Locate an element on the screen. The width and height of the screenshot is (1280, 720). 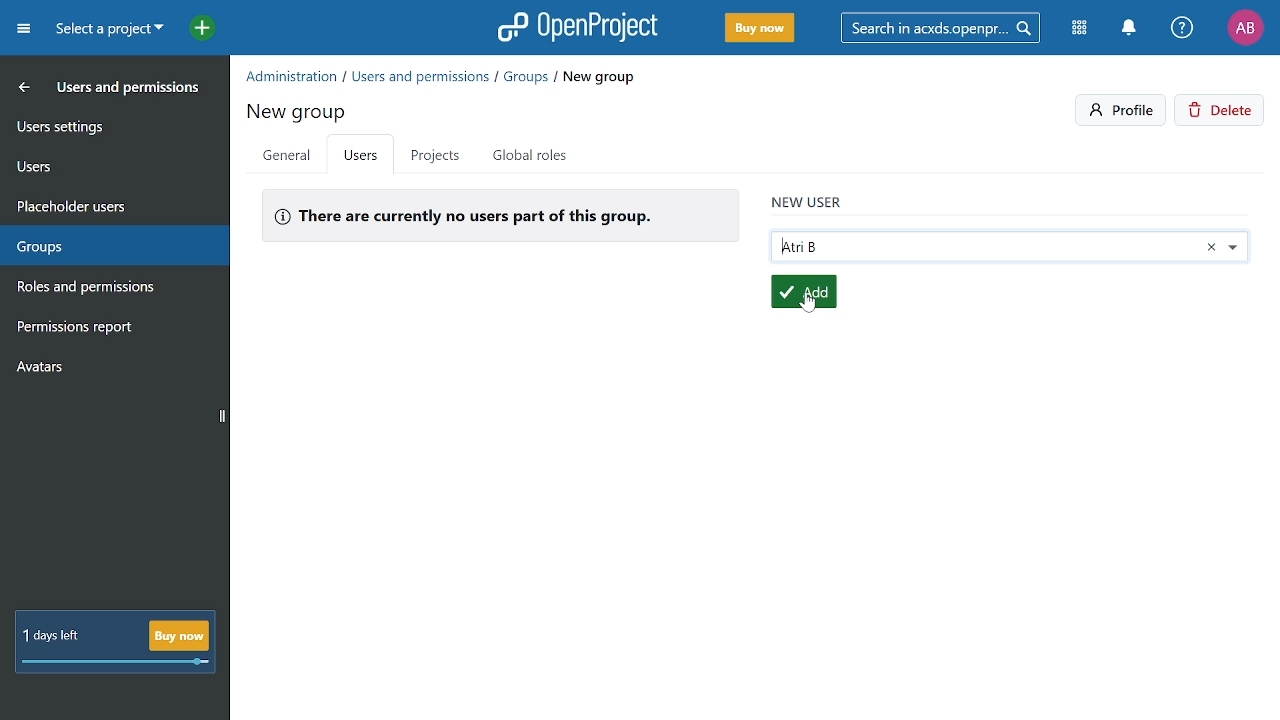
Expand project menu is located at coordinates (23, 28).